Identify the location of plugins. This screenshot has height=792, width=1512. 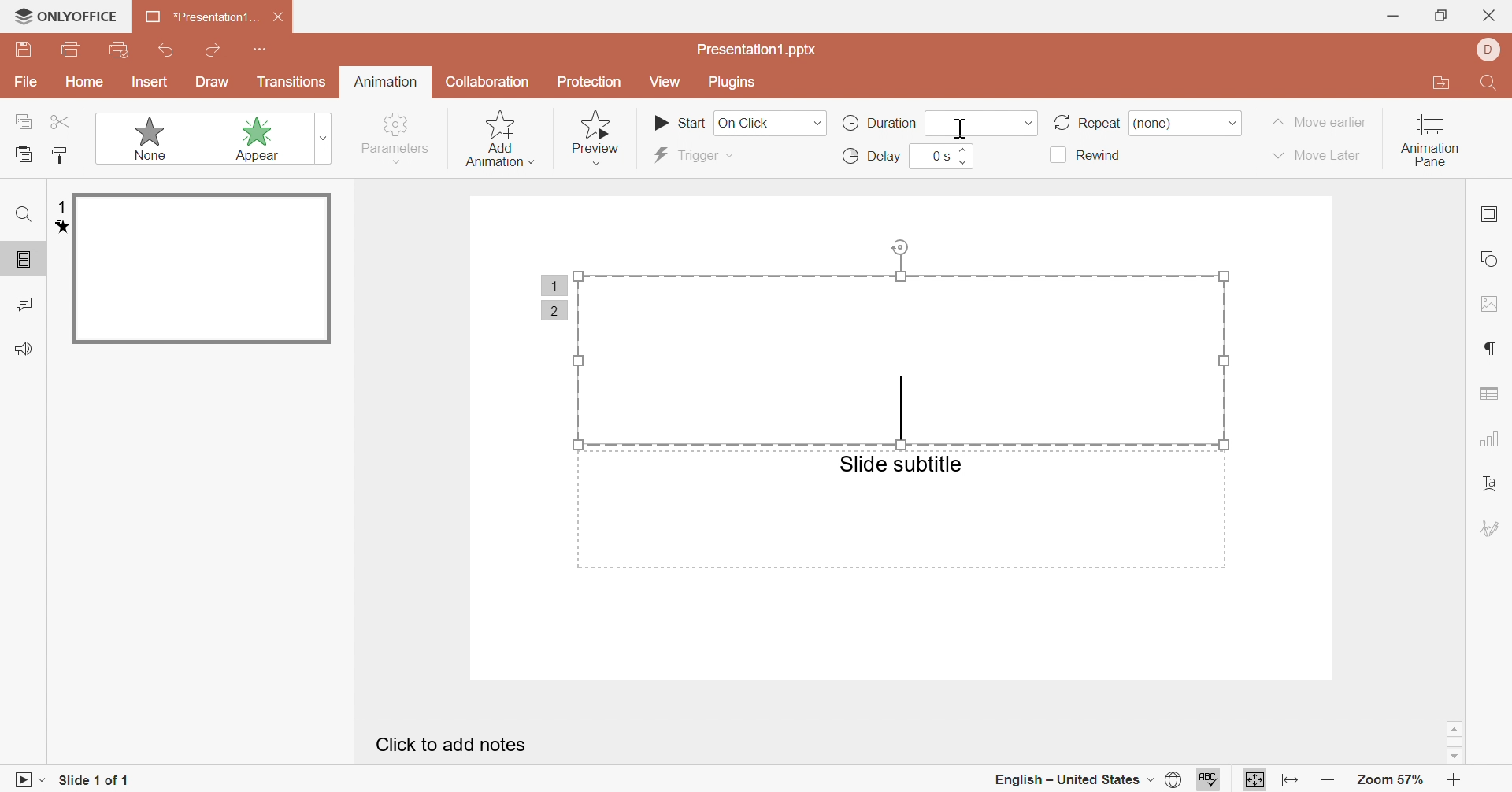
(732, 83).